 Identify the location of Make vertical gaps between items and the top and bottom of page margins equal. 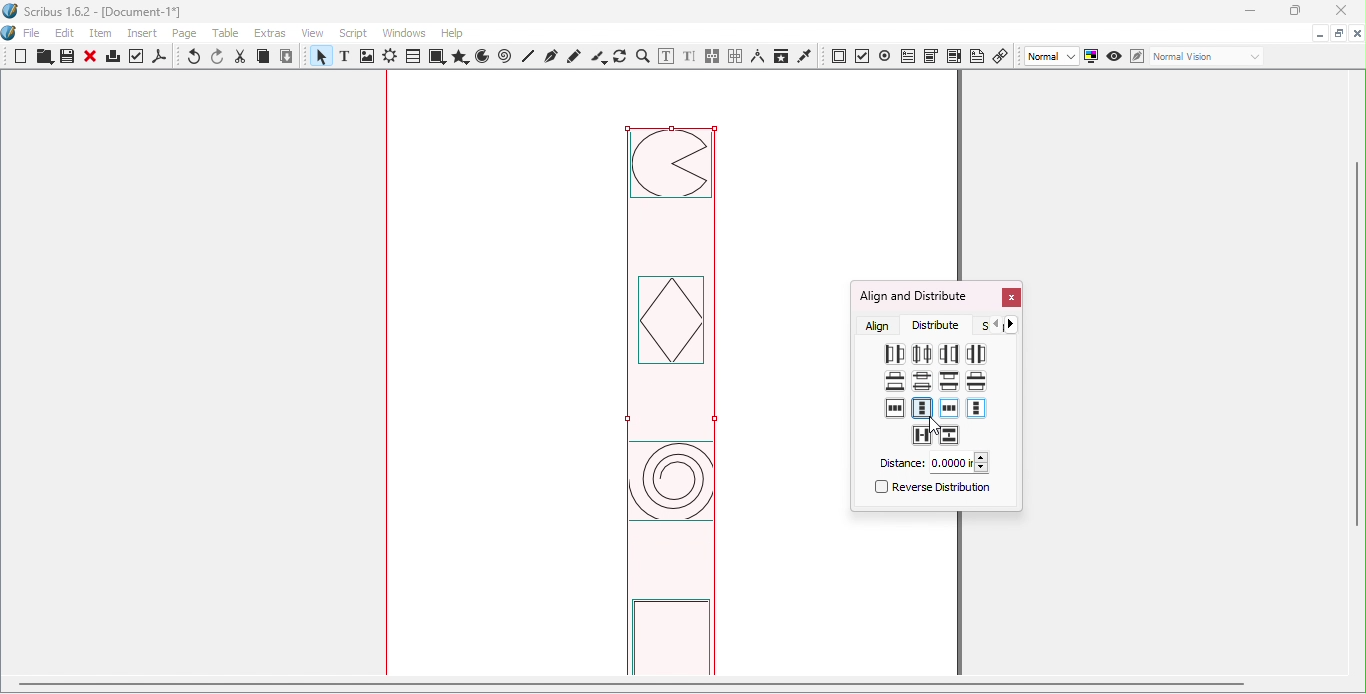
(976, 409).